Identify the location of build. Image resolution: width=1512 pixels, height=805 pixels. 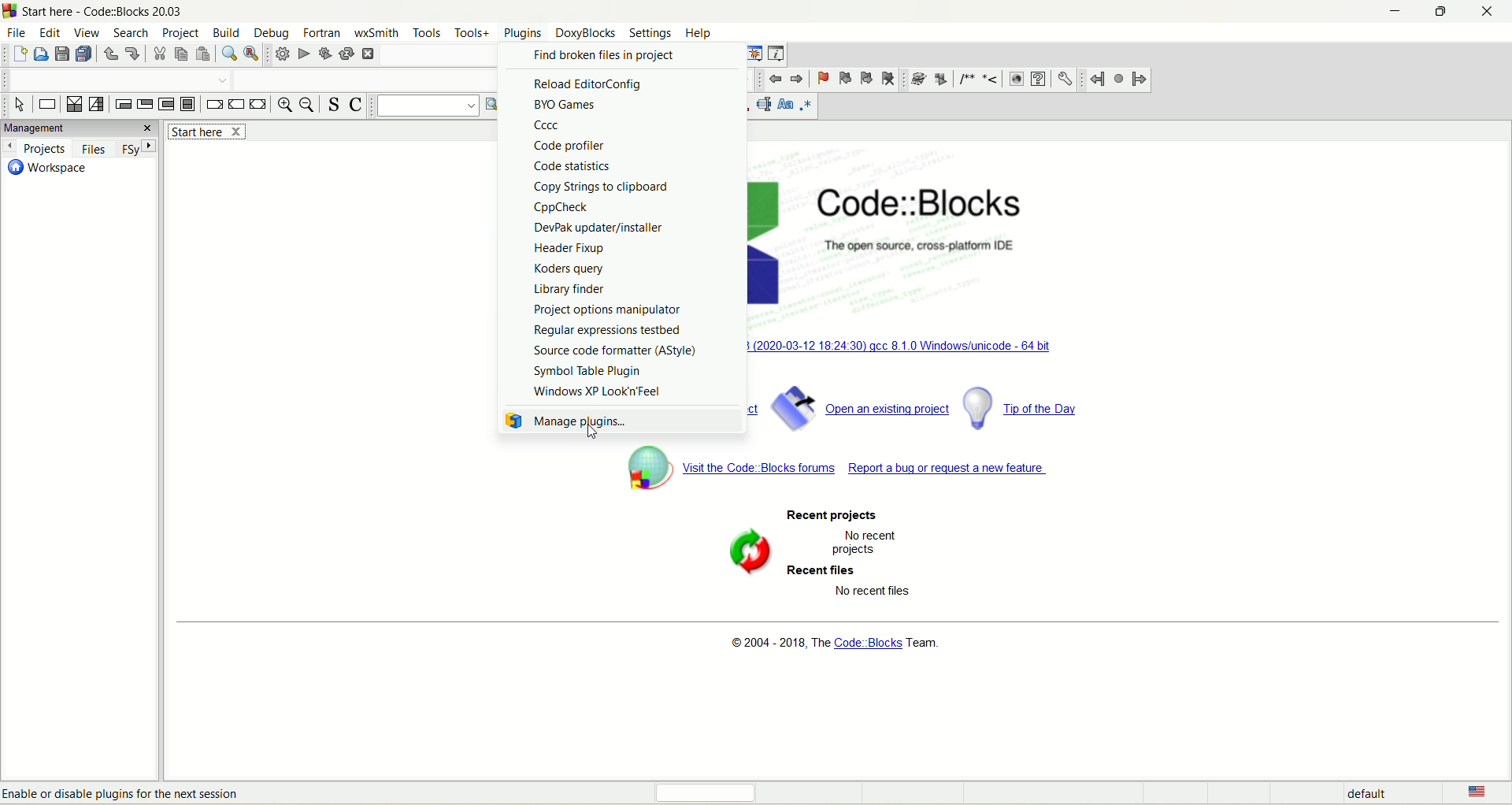
(280, 55).